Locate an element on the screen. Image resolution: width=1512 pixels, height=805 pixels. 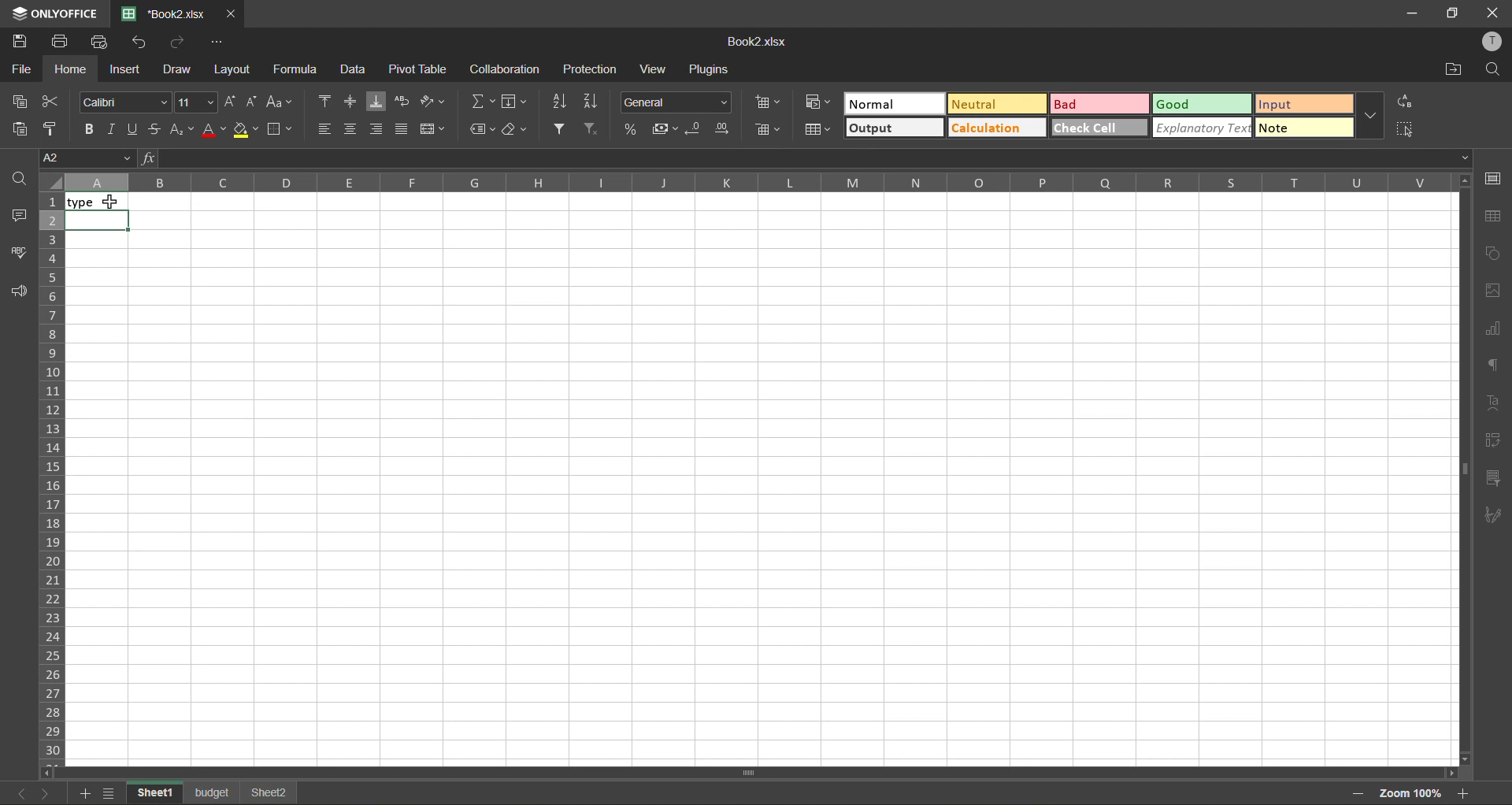
profile is located at coordinates (1489, 42).